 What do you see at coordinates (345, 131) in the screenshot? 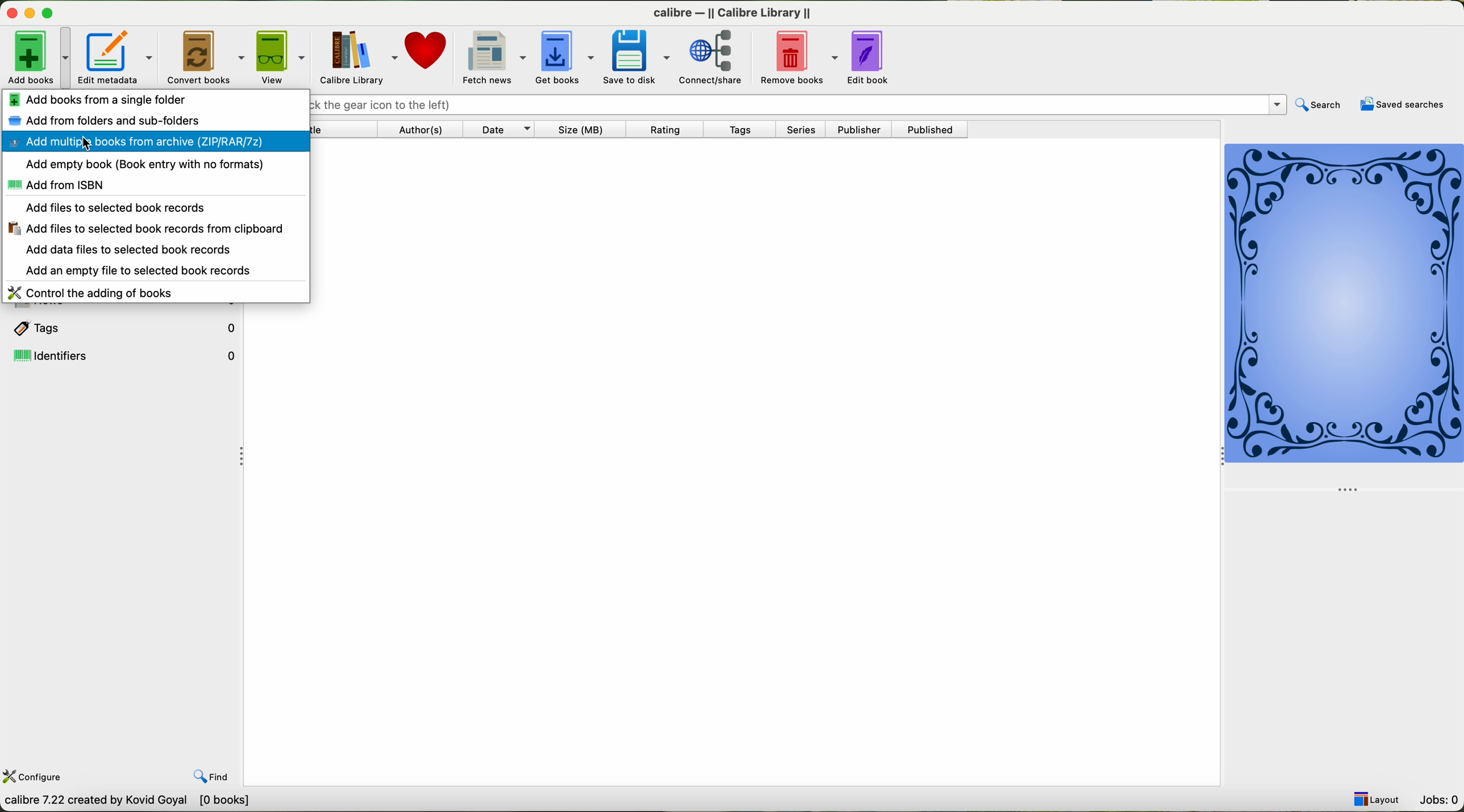
I see `title` at bounding box center [345, 131].